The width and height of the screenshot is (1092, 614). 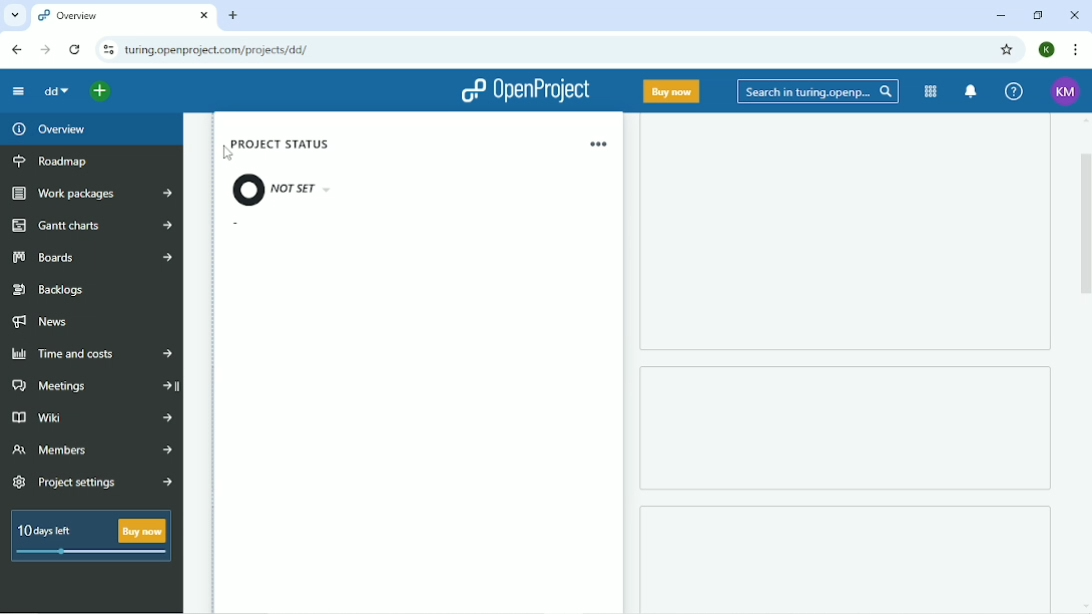 I want to click on Minimize, so click(x=1002, y=15).